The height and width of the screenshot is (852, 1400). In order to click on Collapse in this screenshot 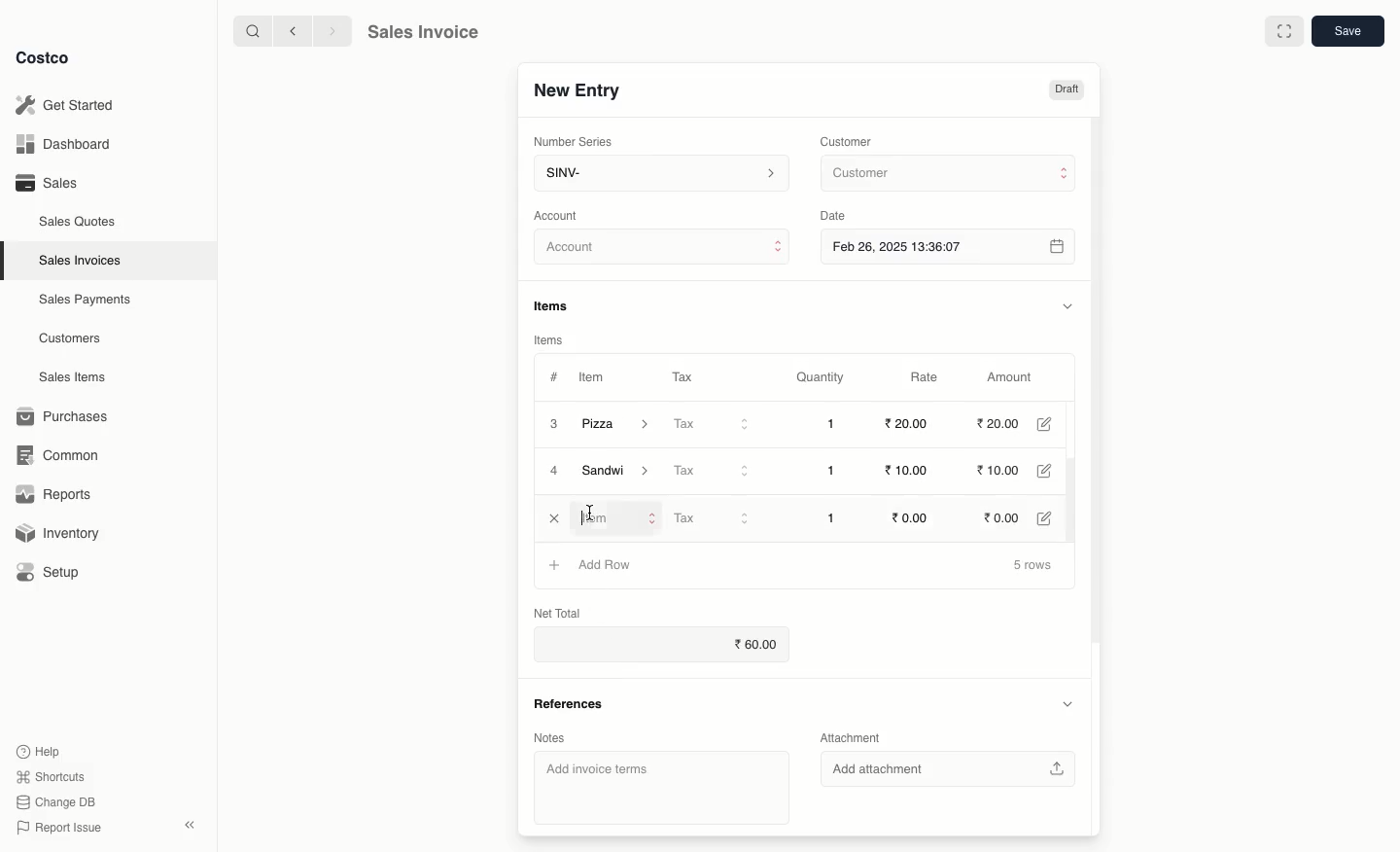, I will do `click(192, 826)`.